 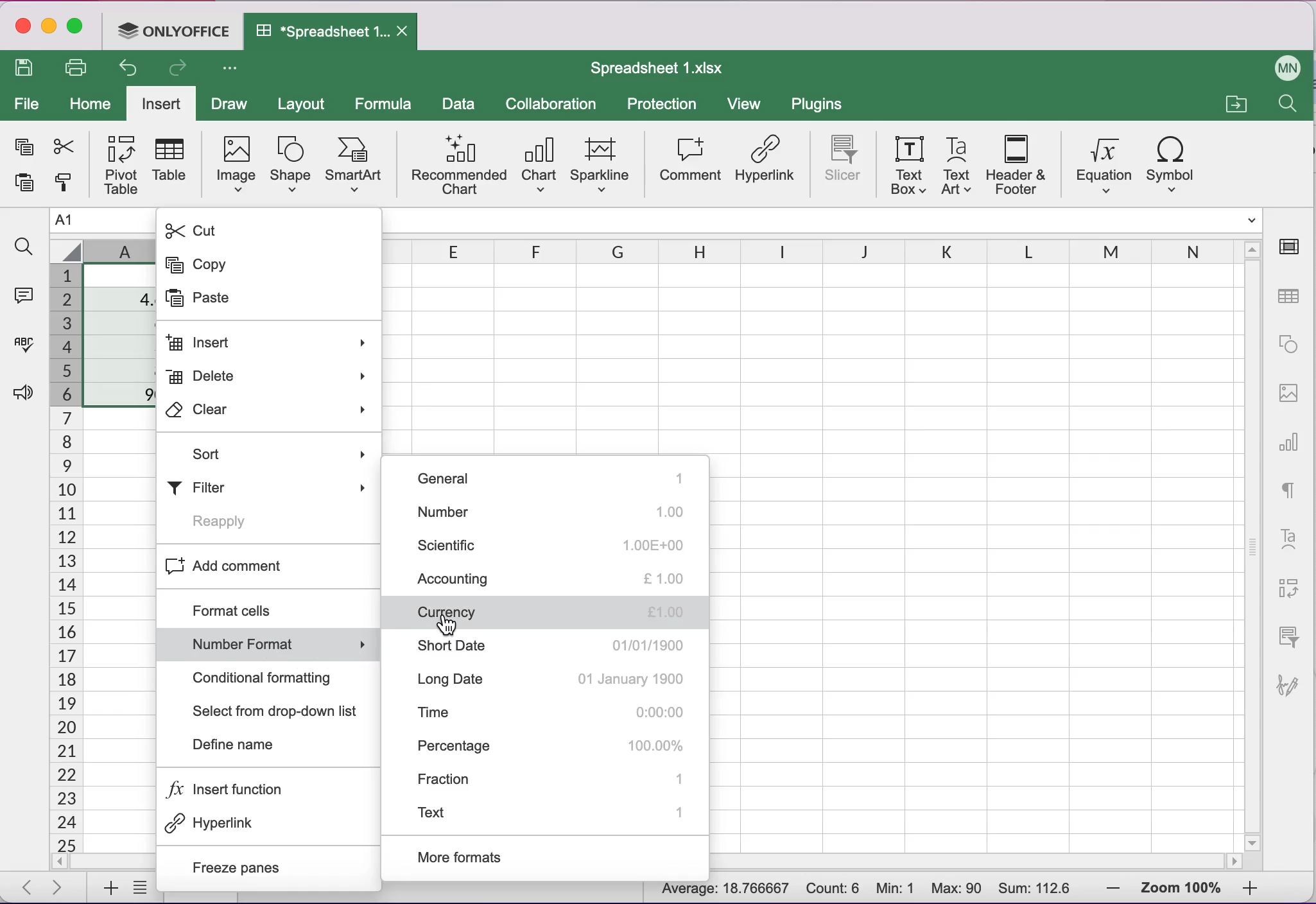 What do you see at coordinates (24, 248) in the screenshot?
I see `find` at bounding box center [24, 248].